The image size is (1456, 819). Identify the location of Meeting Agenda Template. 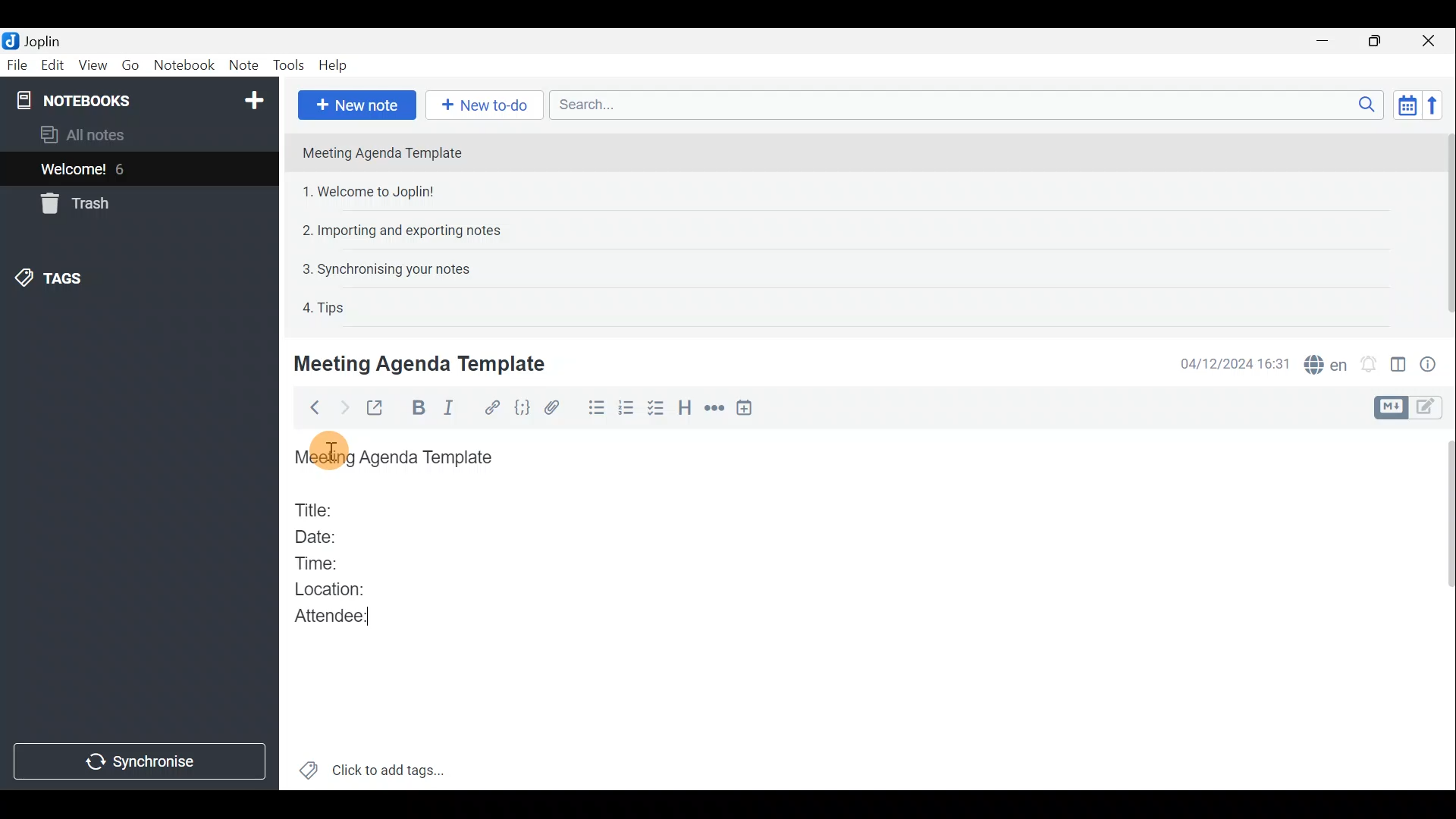
(384, 152).